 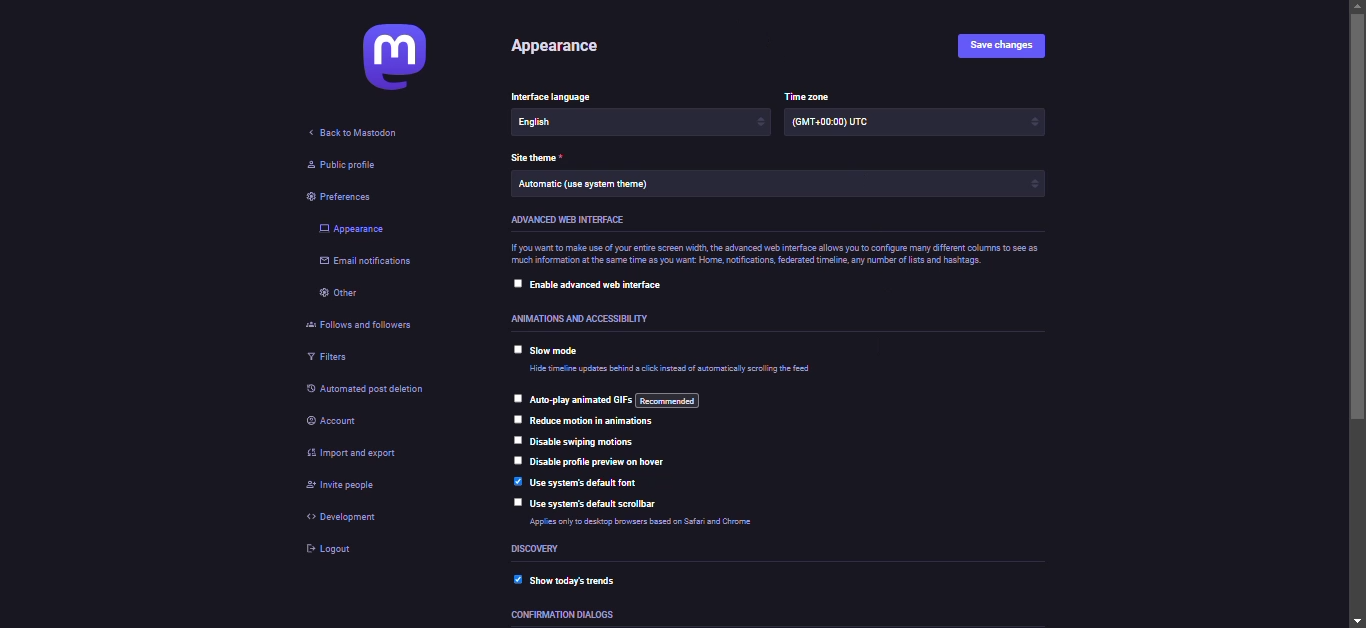 What do you see at coordinates (567, 124) in the screenshot?
I see `language` at bounding box center [567, 124].